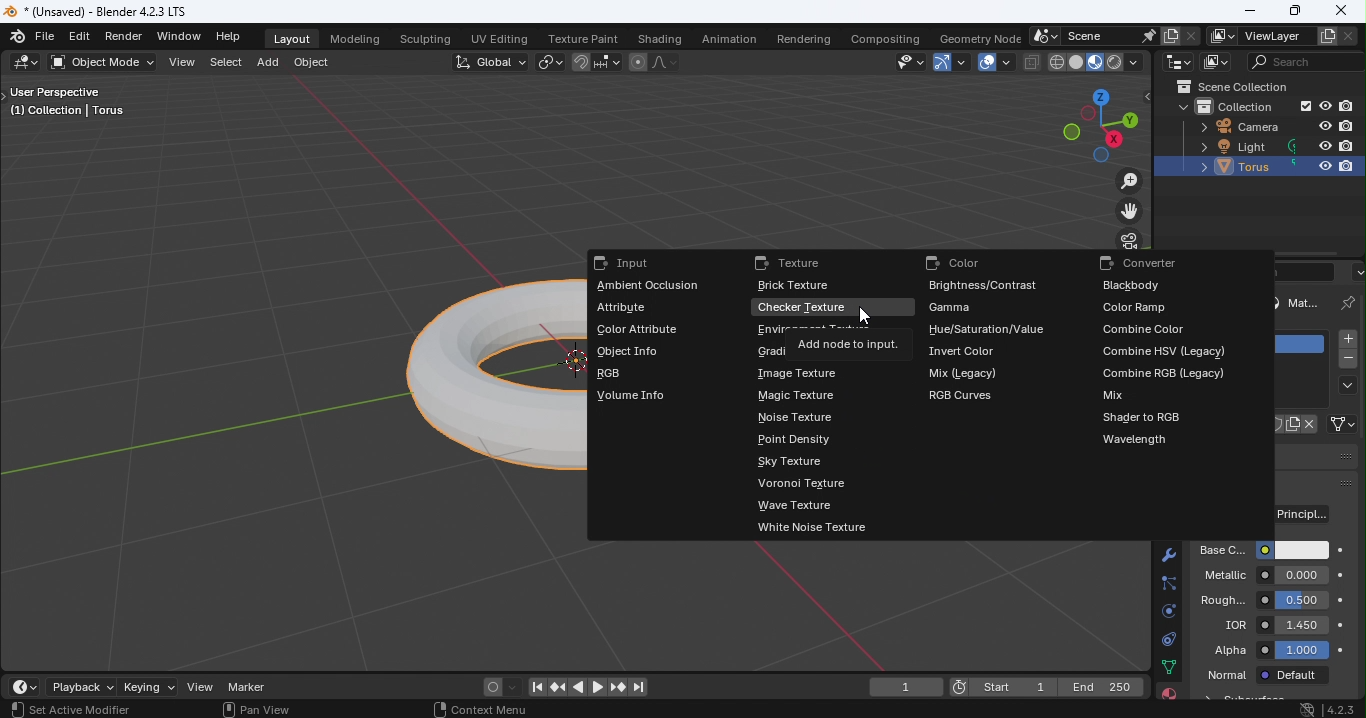 Image resolution: width=1366 pixels, height=718 pixels. Describe the element at coordinates (979, 36) in the screenshot. I see `Geometry node` at that location.